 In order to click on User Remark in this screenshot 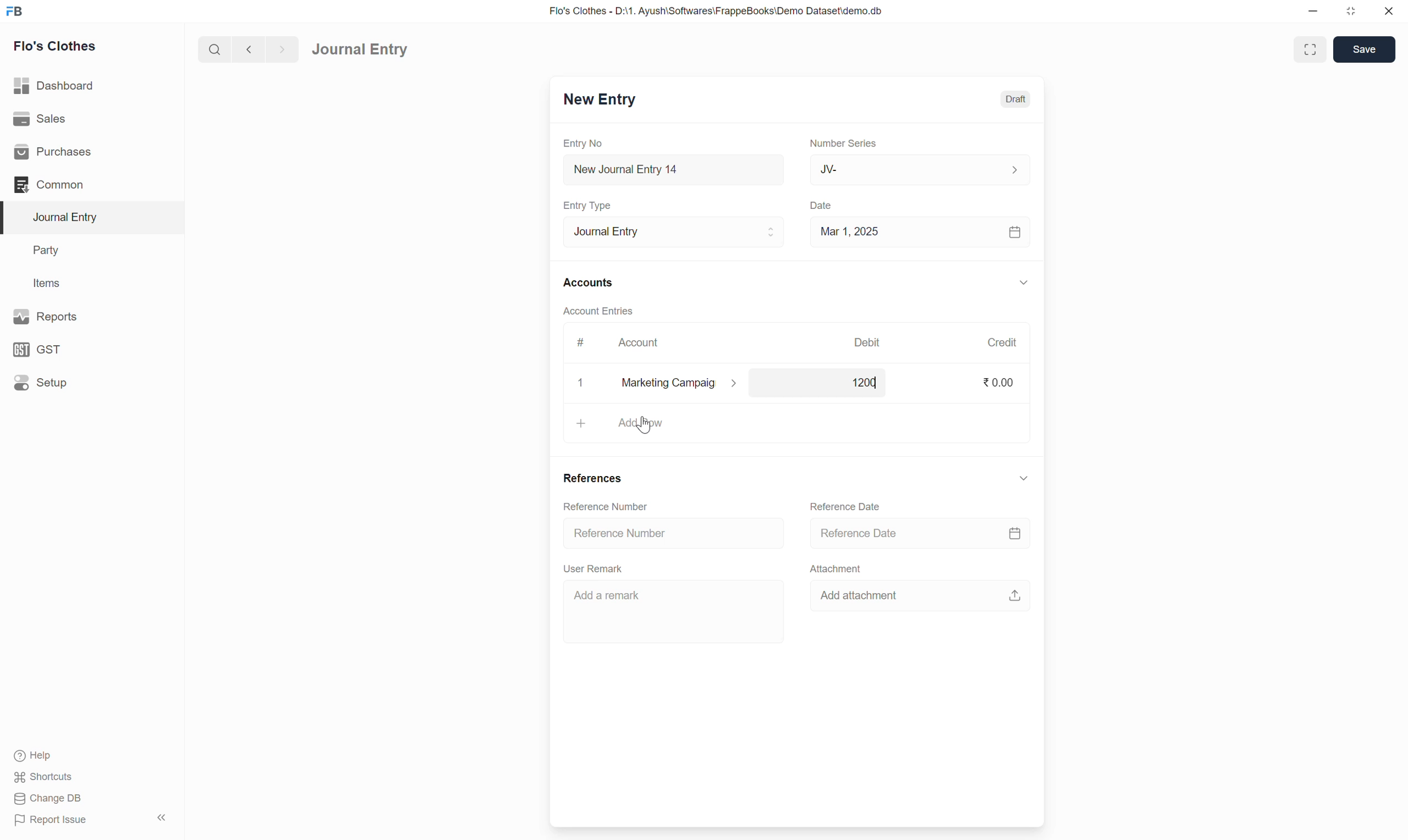, I will do `click(596, 568)`.